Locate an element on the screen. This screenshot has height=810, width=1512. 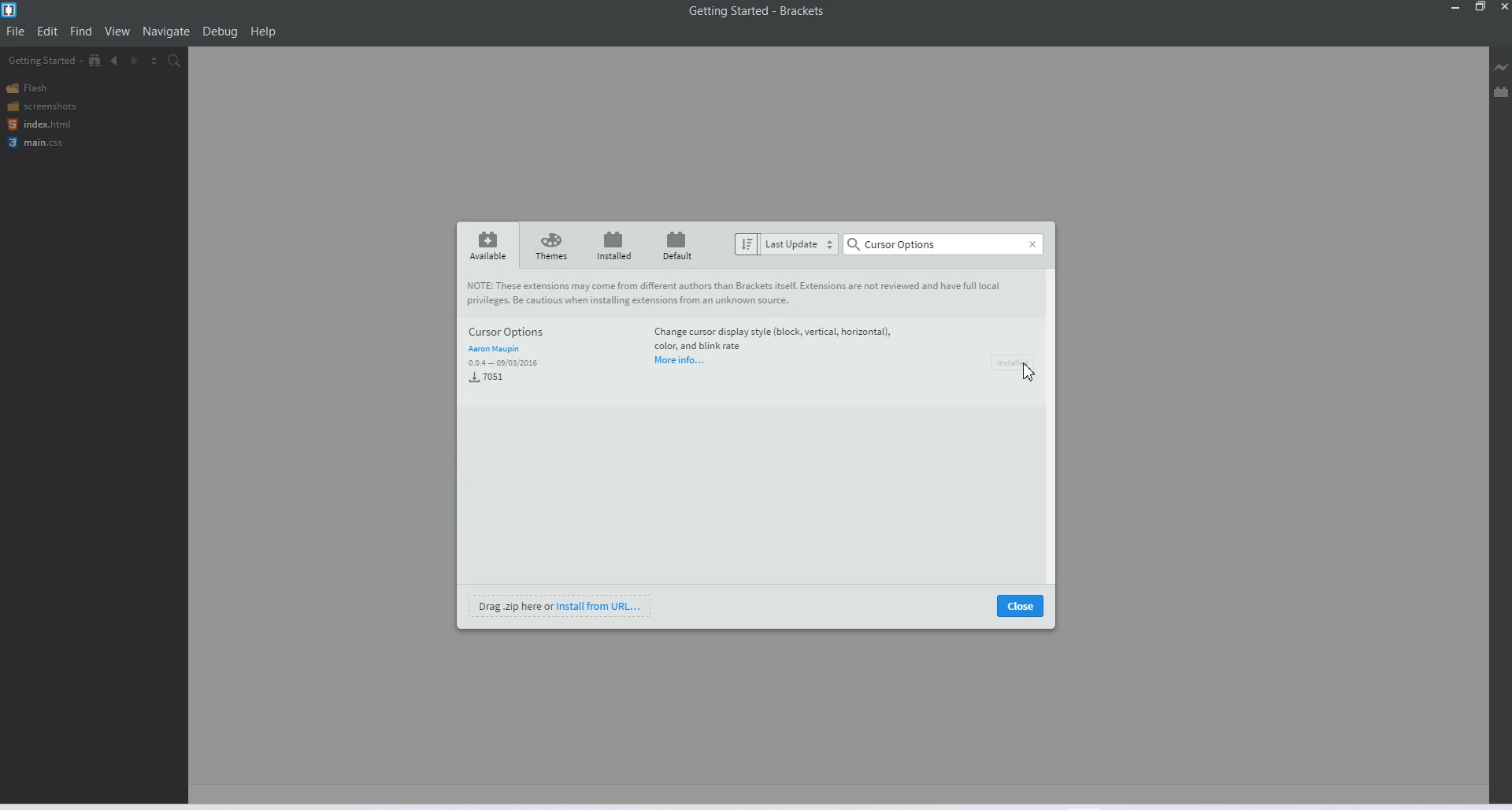
Navigate Forwards is located at coordinates (135, 61).